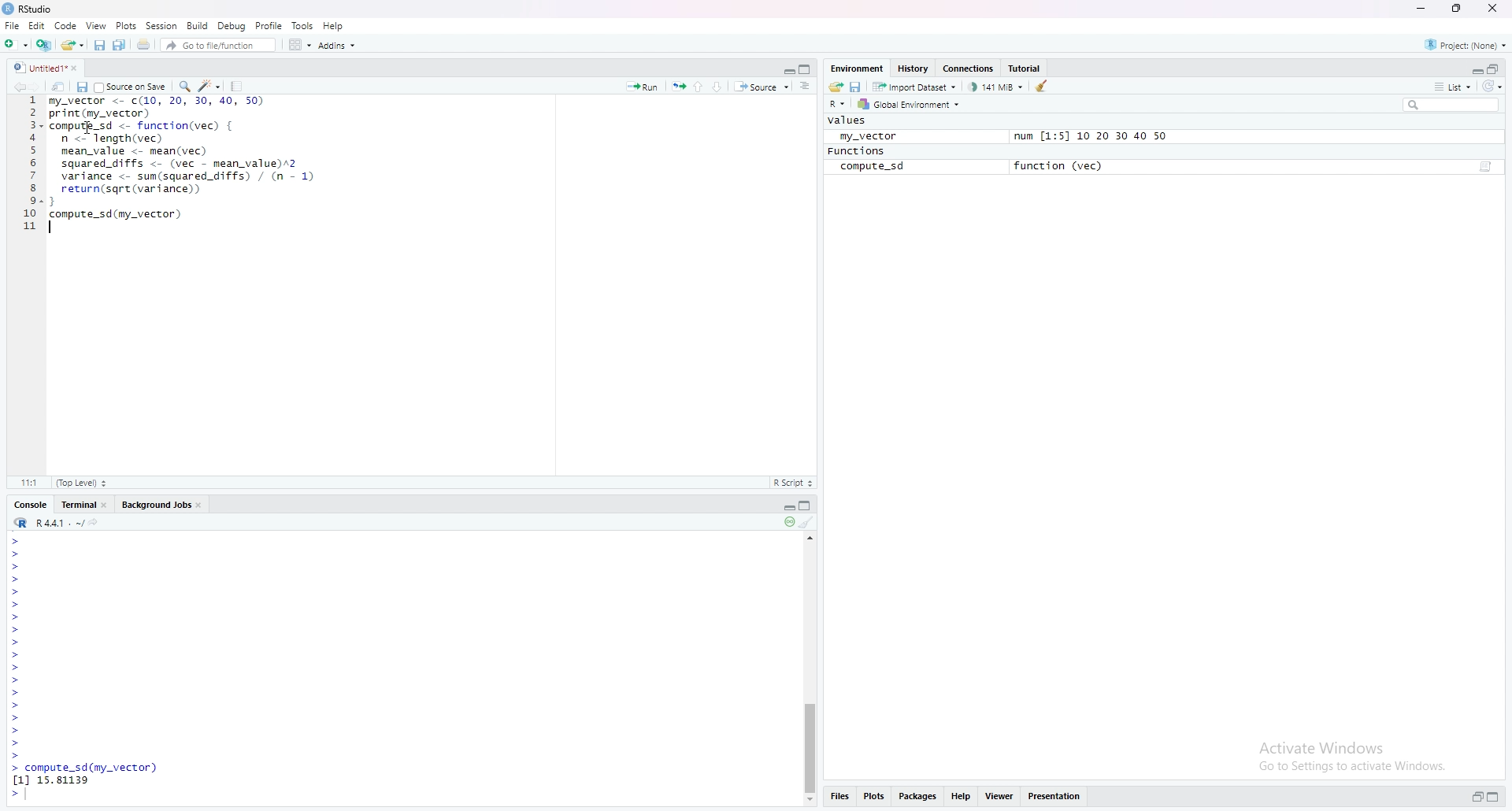 The image size is (1512, 811). Describe the element at coordinates (17, 566) in the screenshot. I see `Prompt cursor` at that location.